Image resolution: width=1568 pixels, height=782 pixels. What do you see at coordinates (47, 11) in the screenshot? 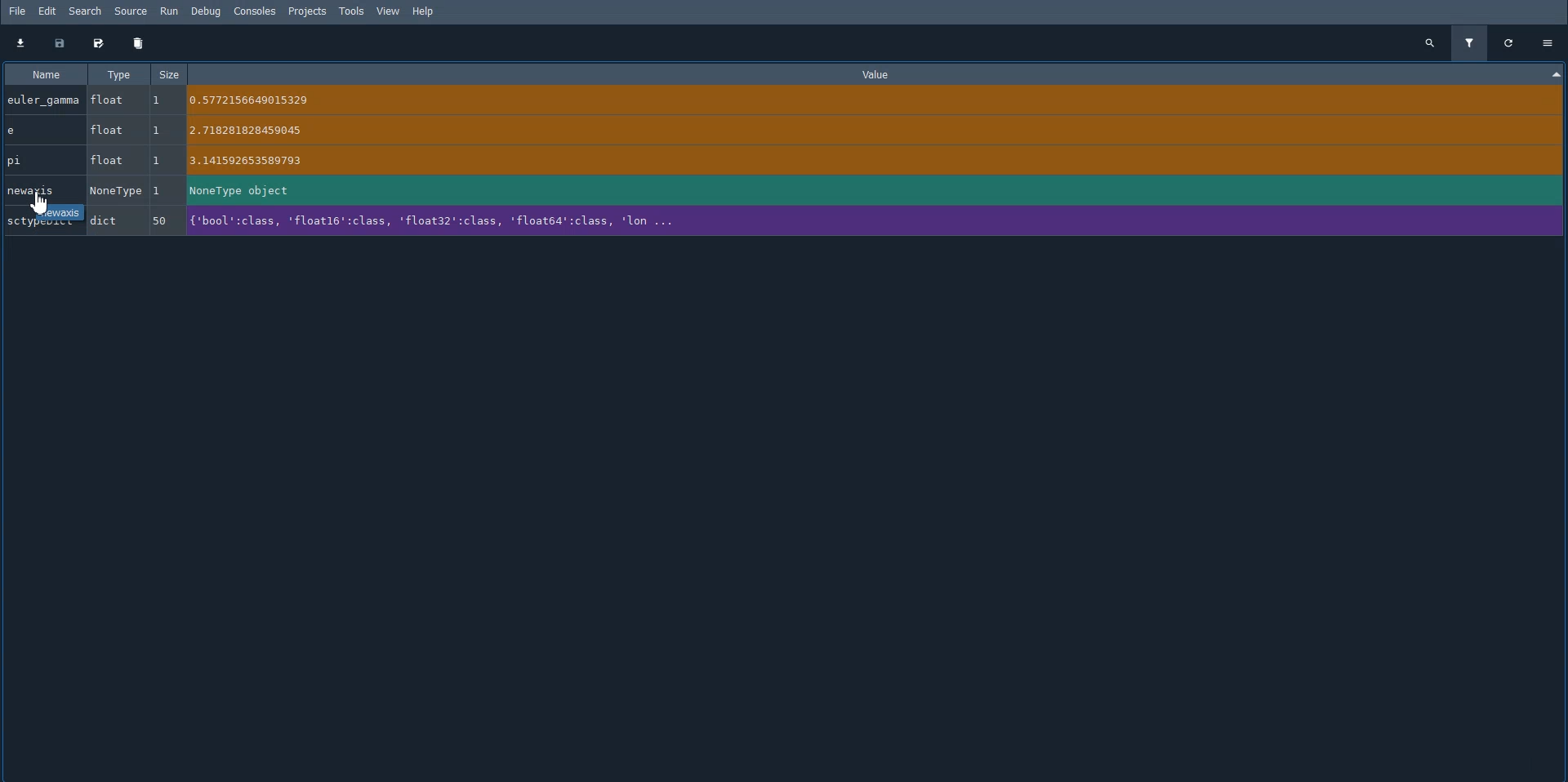
I see `Edit` at bounding box center [47, 11].